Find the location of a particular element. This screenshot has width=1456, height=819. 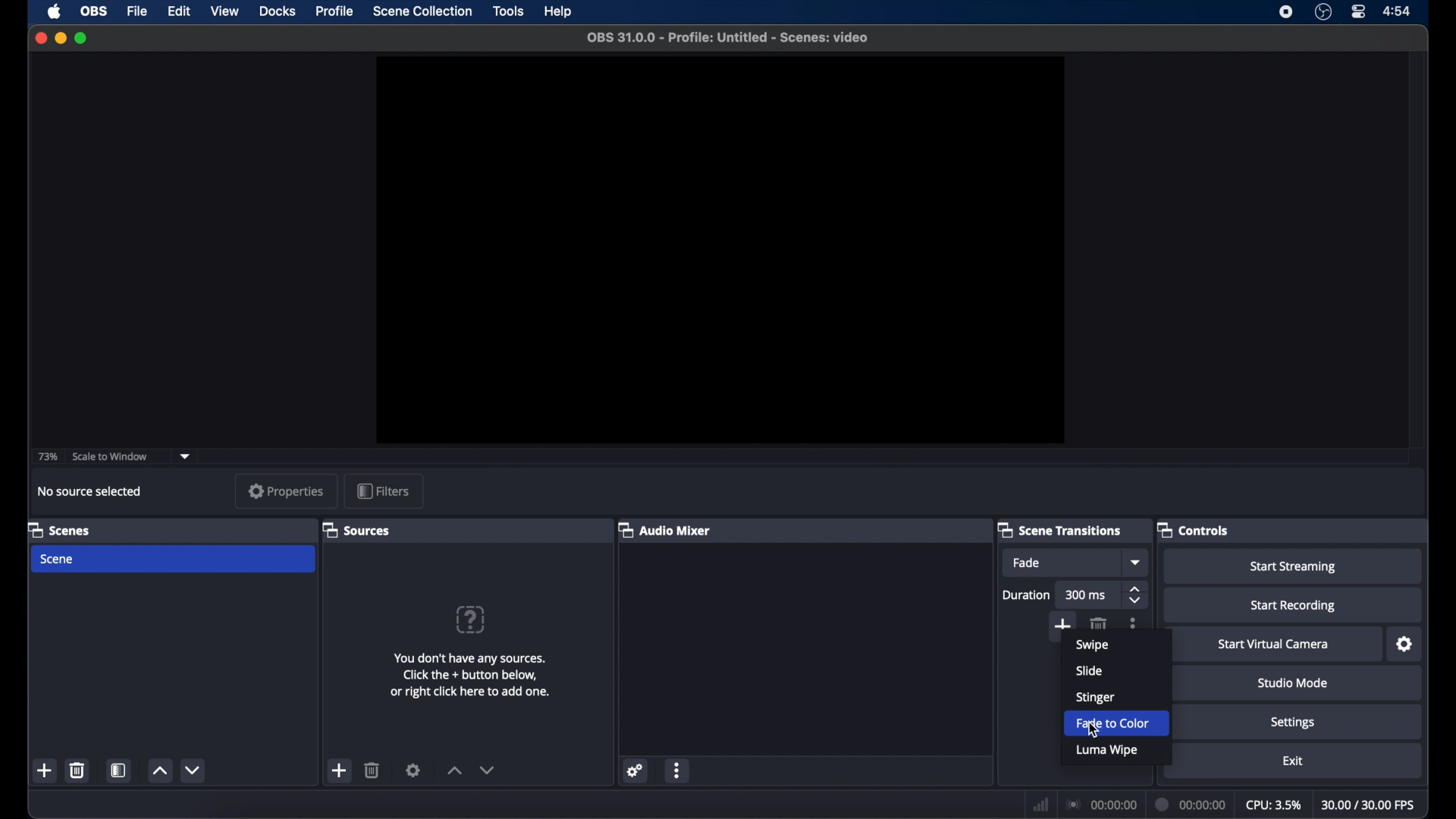

connection is located at coordinates (1100, 805).